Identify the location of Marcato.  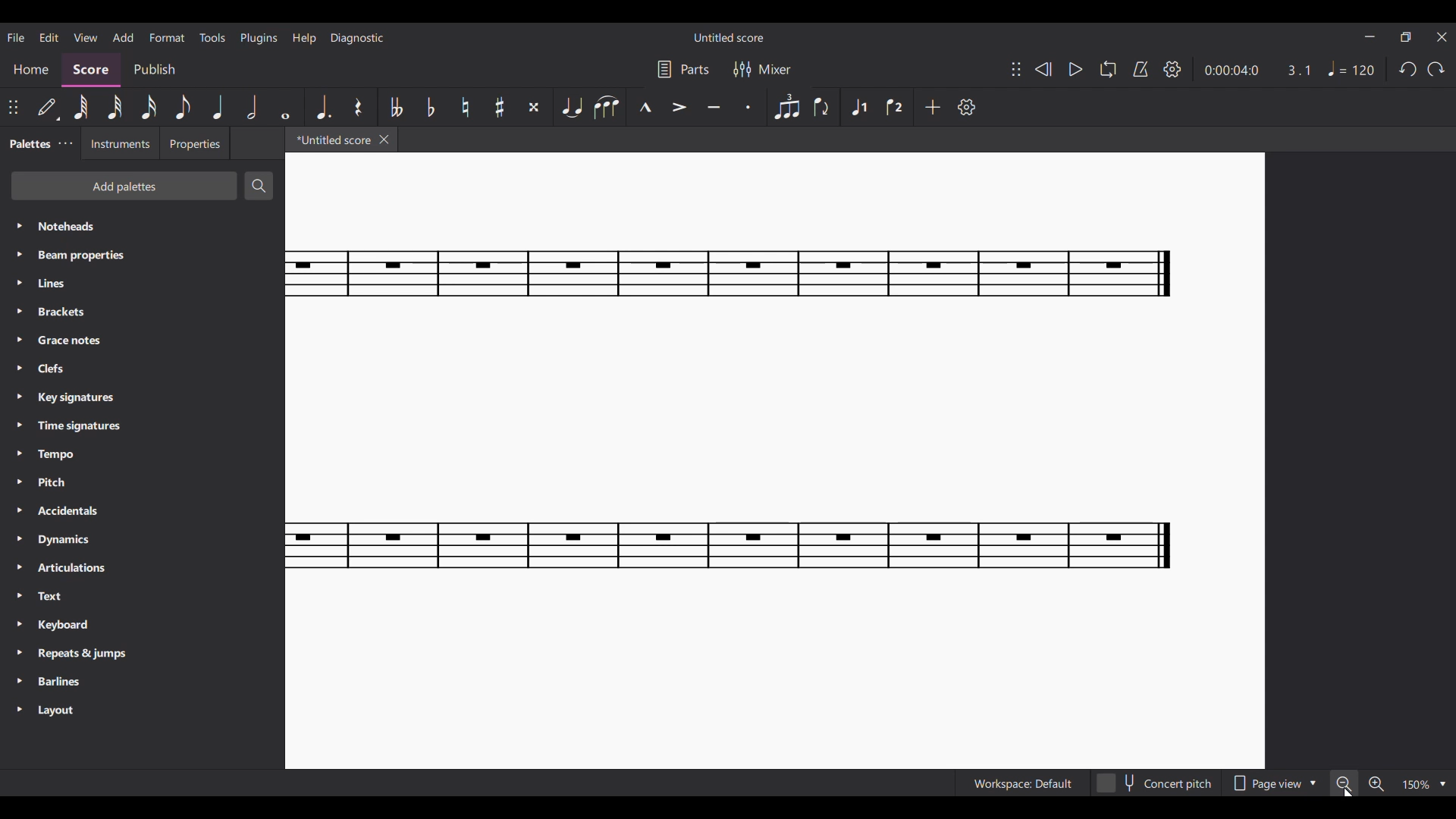
(645, 107).